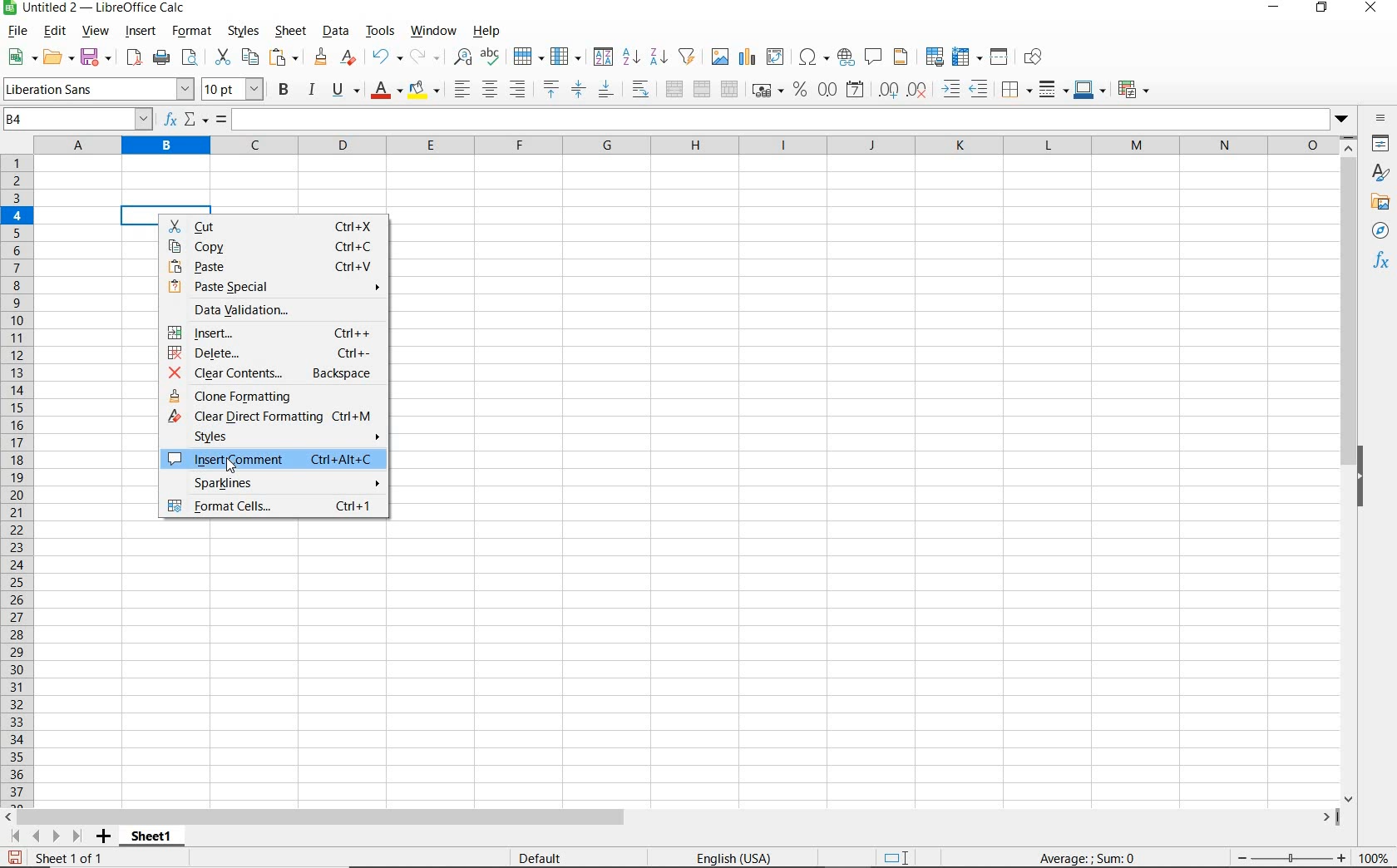 The image size is (1397, 868). I want to click on sort ascending, so click(630, 58).